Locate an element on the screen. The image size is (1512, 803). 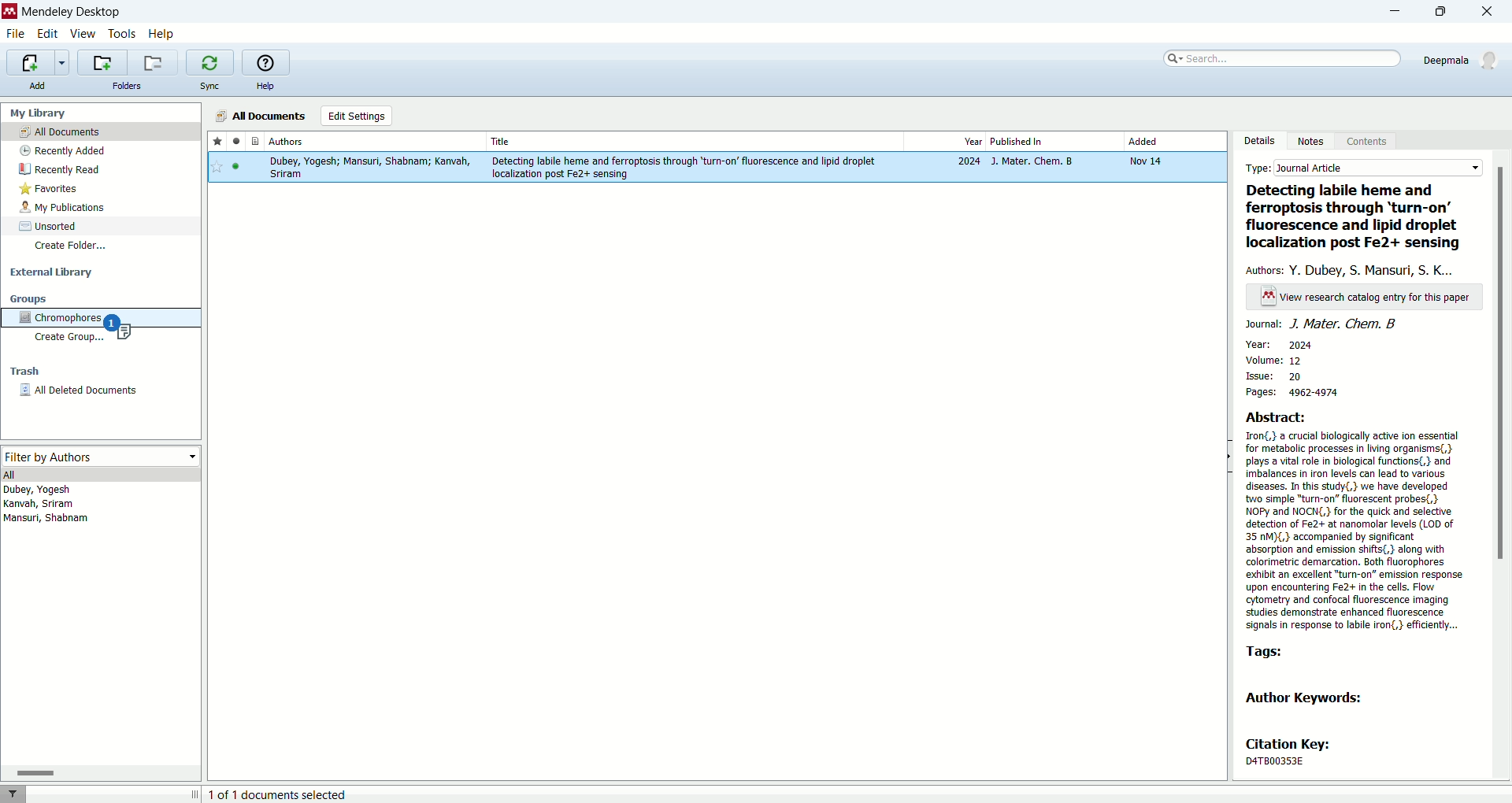
my publications is located at coordinates (65, 208).